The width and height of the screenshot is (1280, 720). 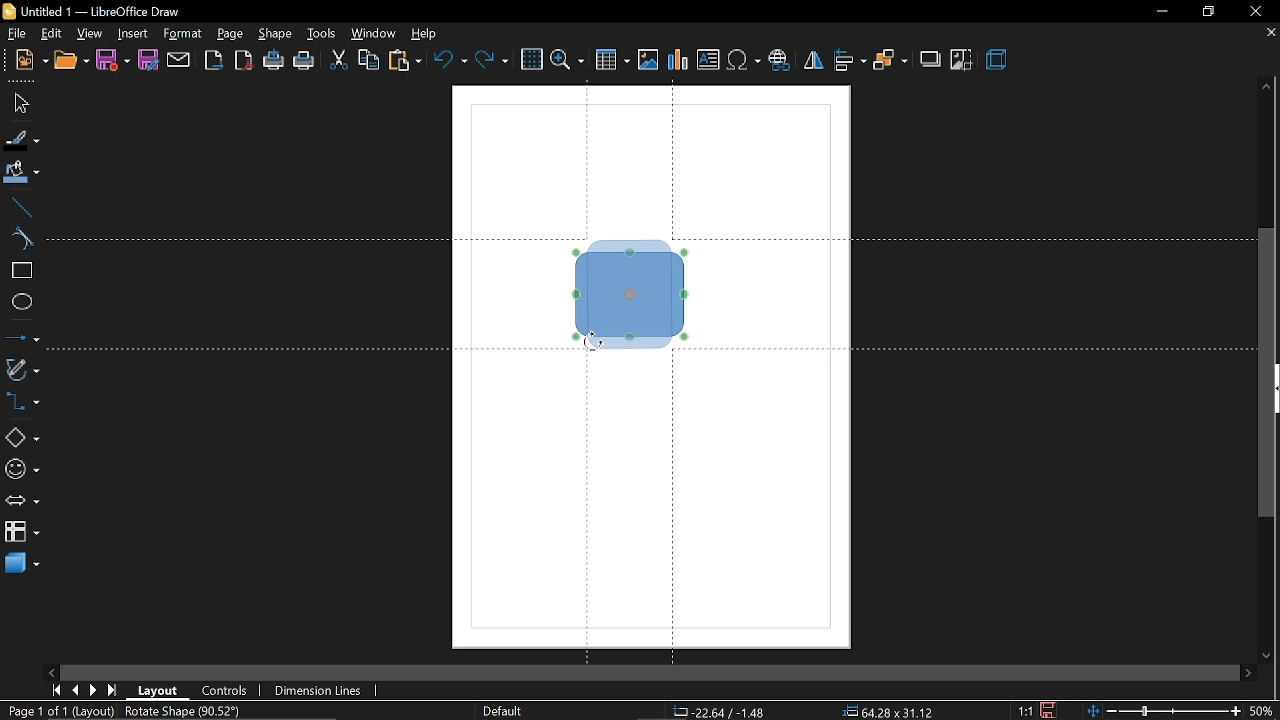 What do you see at coordinates (272, 59) in the screenshot?
I see `print directly` at bounding box center [272, 59].